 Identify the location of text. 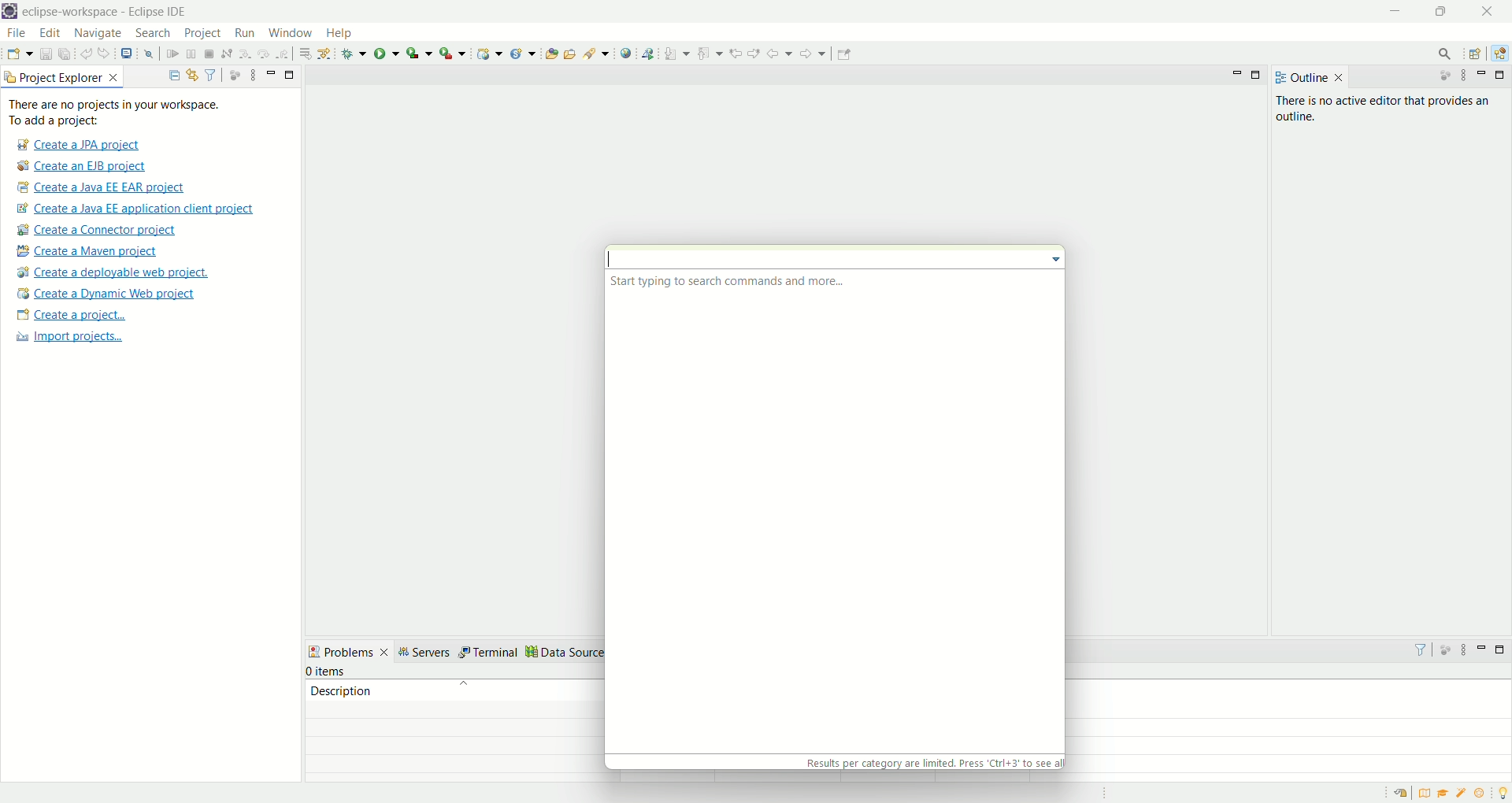
(729, 281).